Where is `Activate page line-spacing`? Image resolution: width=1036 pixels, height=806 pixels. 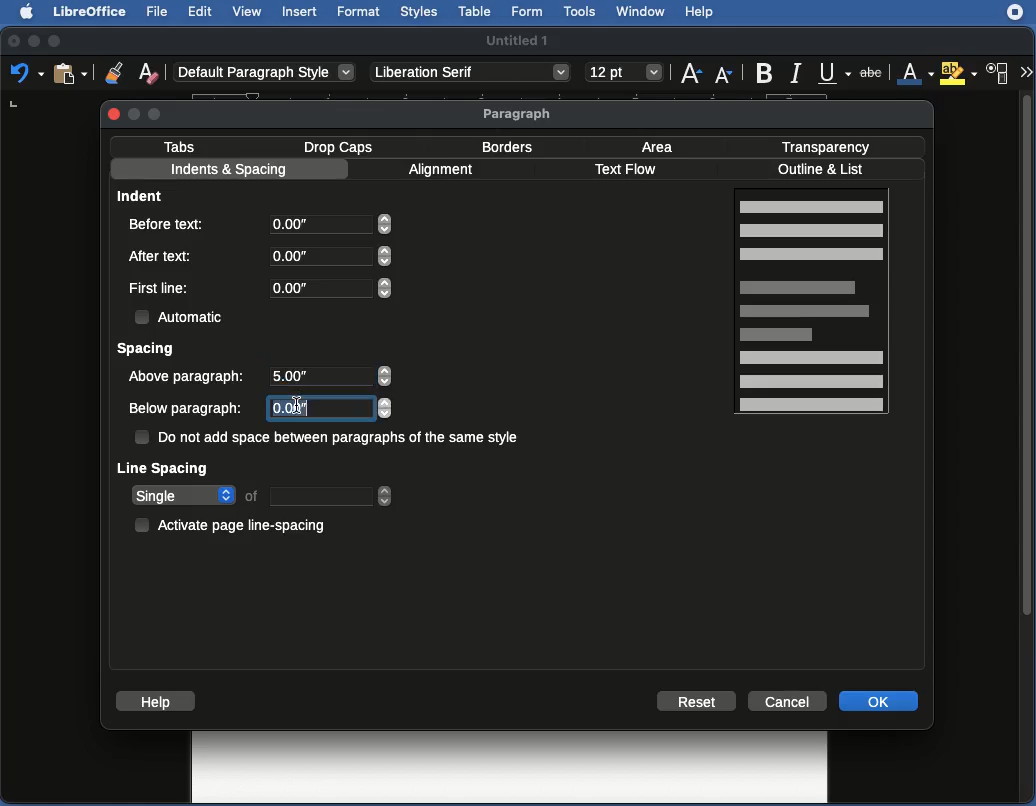 Activate page line-spacing is located at coordinates (234, 522).